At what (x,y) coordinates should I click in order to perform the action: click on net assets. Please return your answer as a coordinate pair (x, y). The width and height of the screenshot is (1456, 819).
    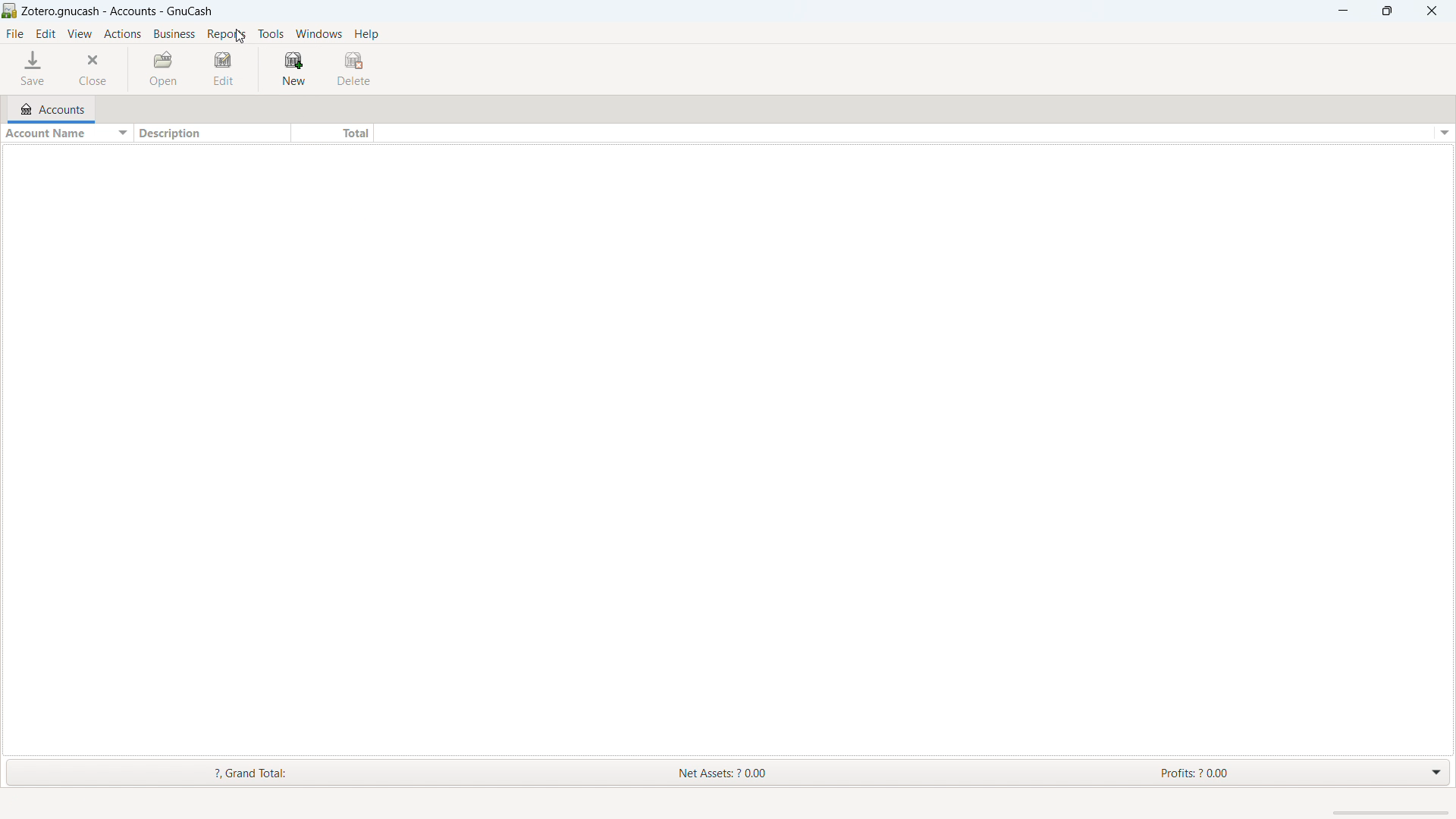
    Looking at the image, I should click on (757, 773).